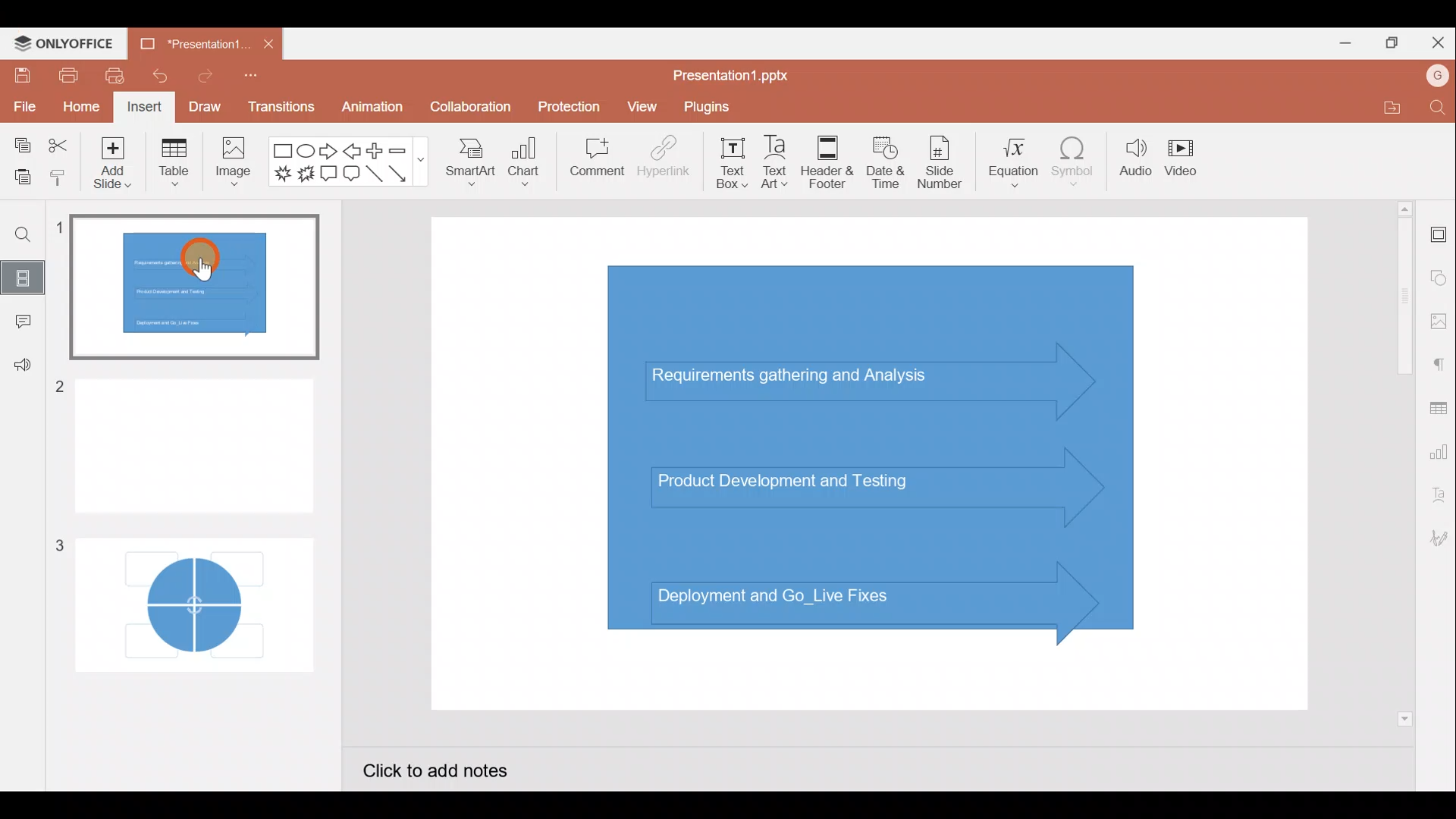  What do you see at coordinates (20, 370) in the screenshot?
I see `Feedback & support` at bounding box center [20, 370].